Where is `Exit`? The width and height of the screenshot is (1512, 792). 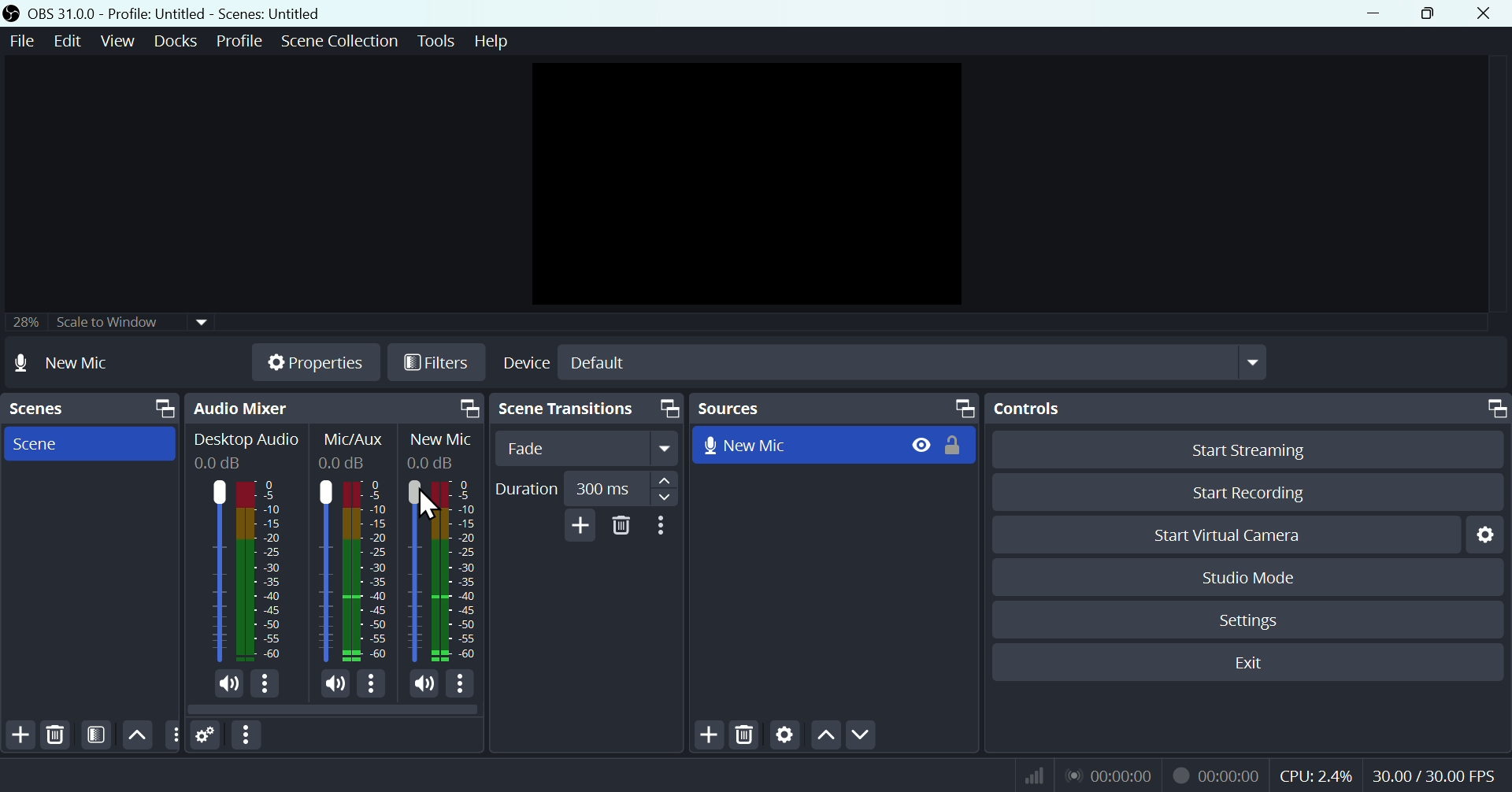
Exit is located at coordinates (1258, 663).